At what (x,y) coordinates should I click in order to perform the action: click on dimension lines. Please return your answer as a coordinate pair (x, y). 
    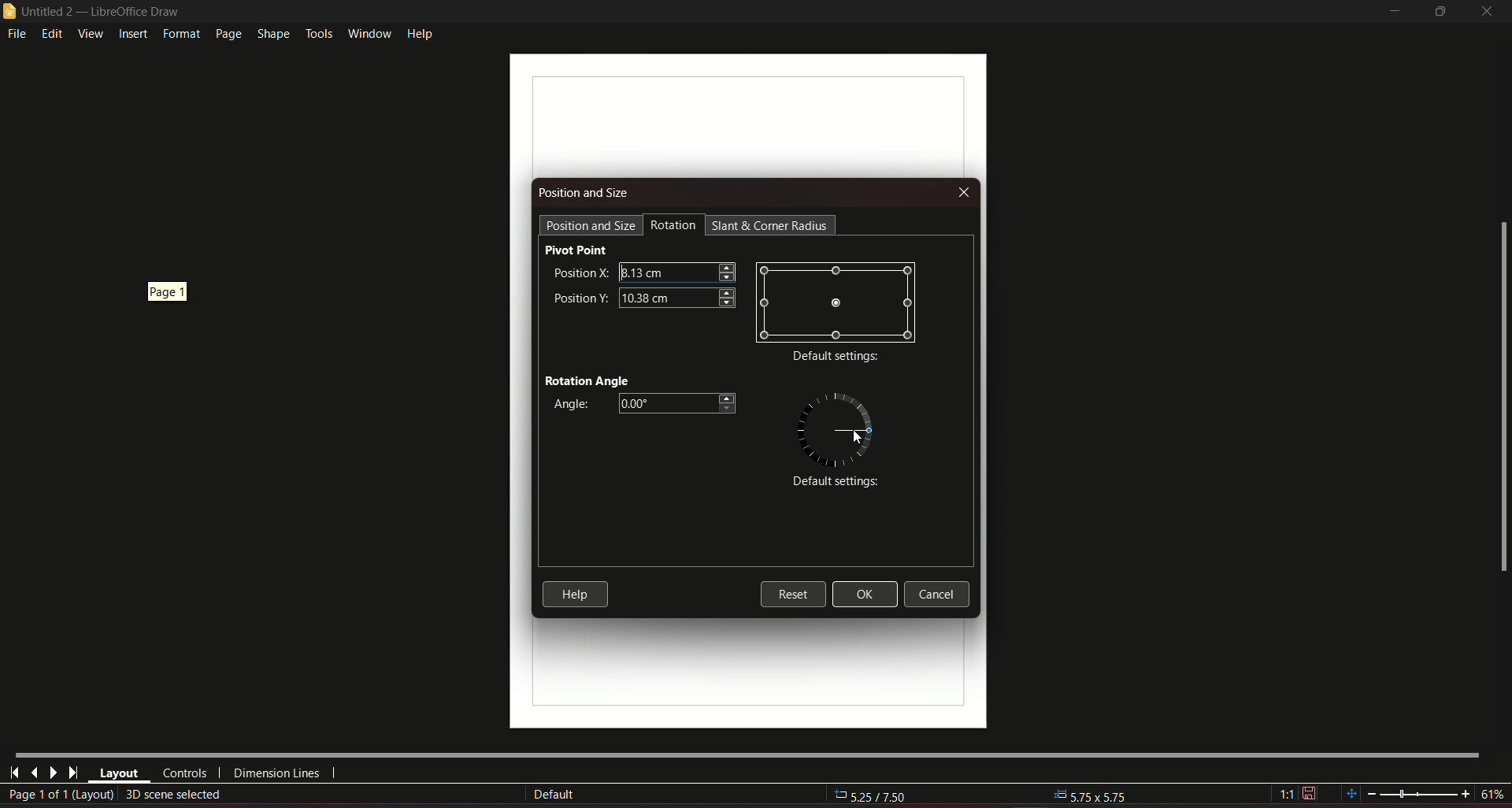
    Looking at the image, I should click on (277, 776).